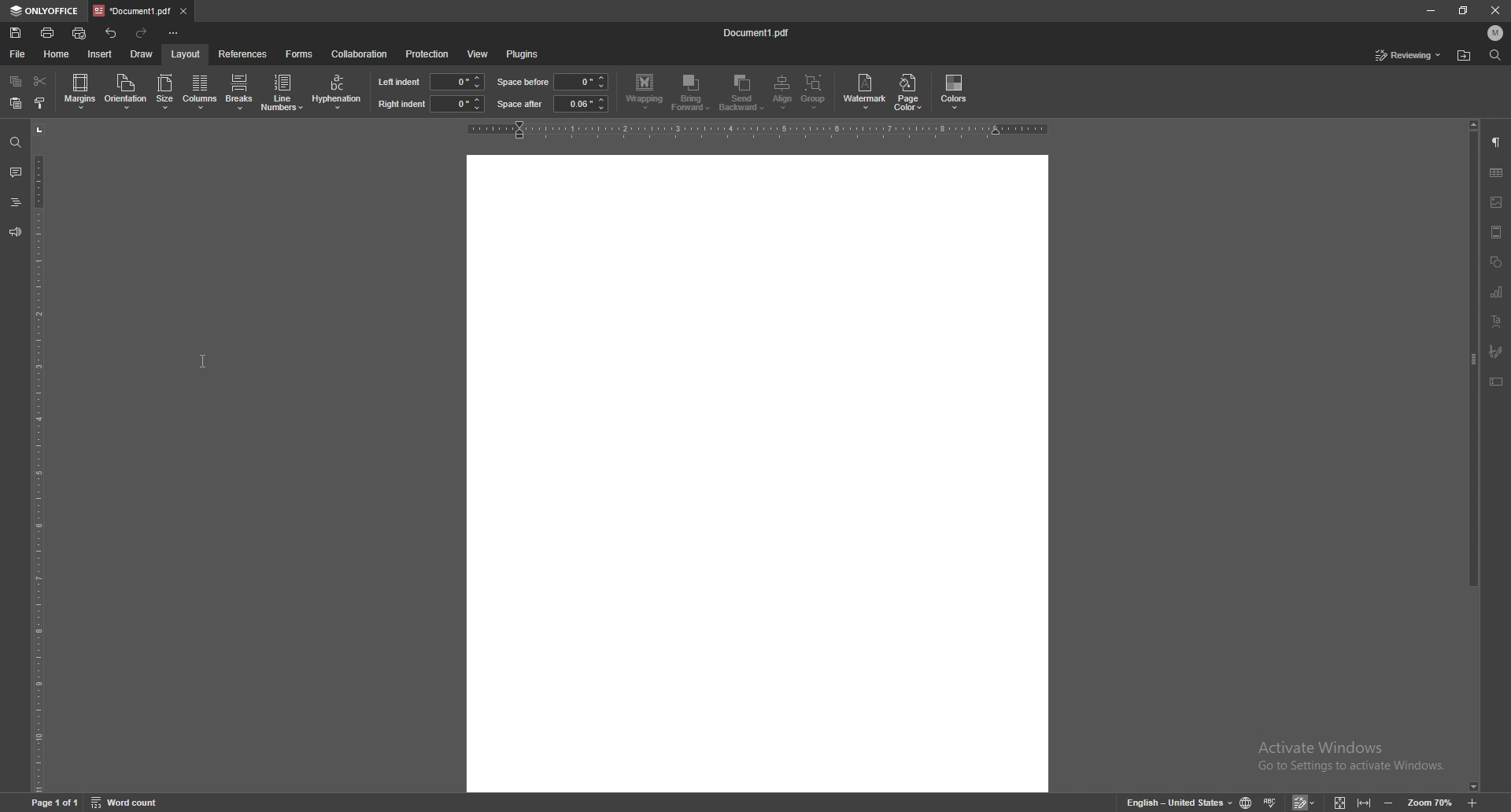 The image size is (1511, 812). What do you see at coordinates (523, 54) in the screenshot?
I see `plugins` at bounding box center [523, 54].